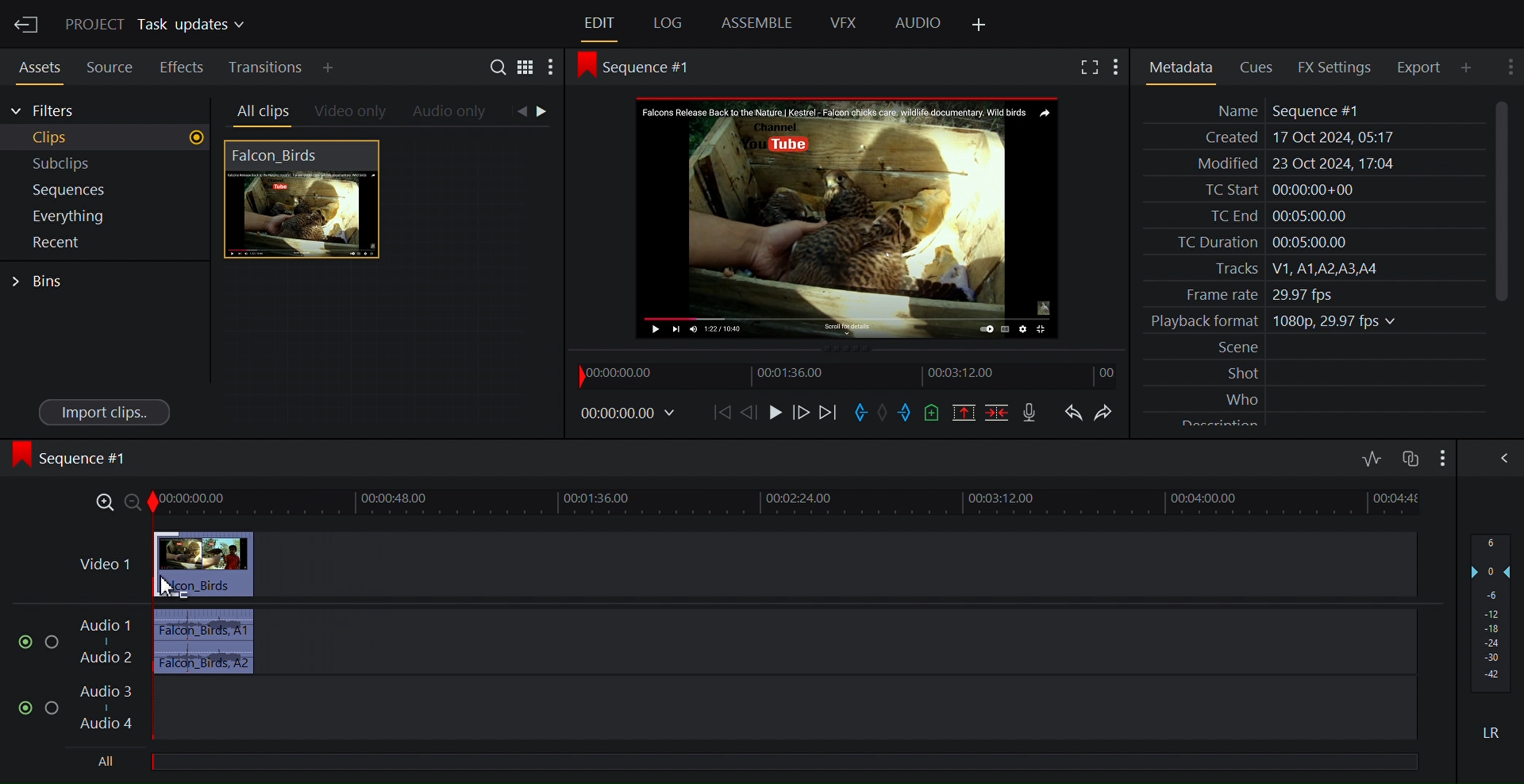  I want to click on Video track, so click(744, 565).